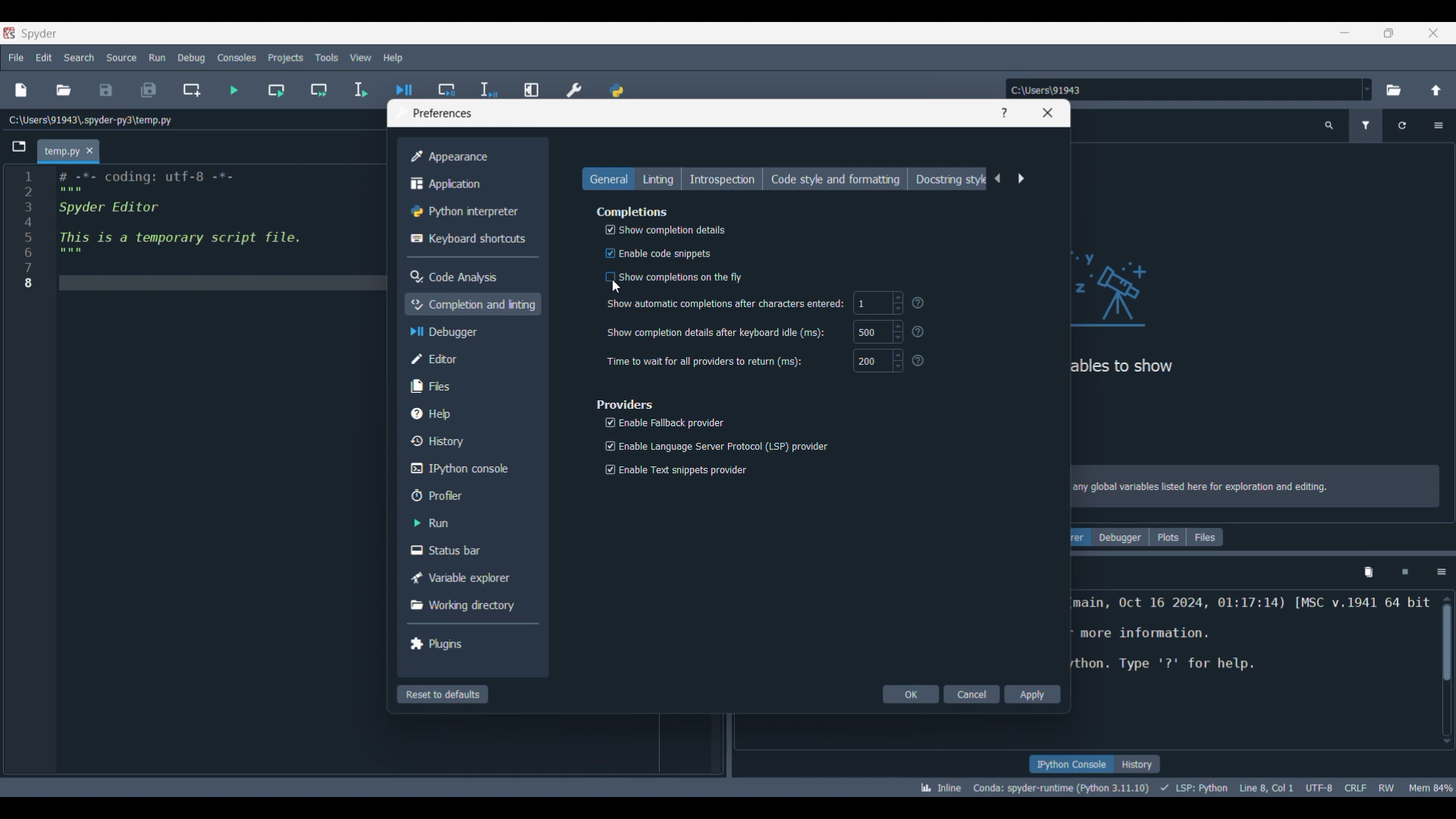  I want to click on Time to wait for all providers to return (ms):, so click(705, 361).